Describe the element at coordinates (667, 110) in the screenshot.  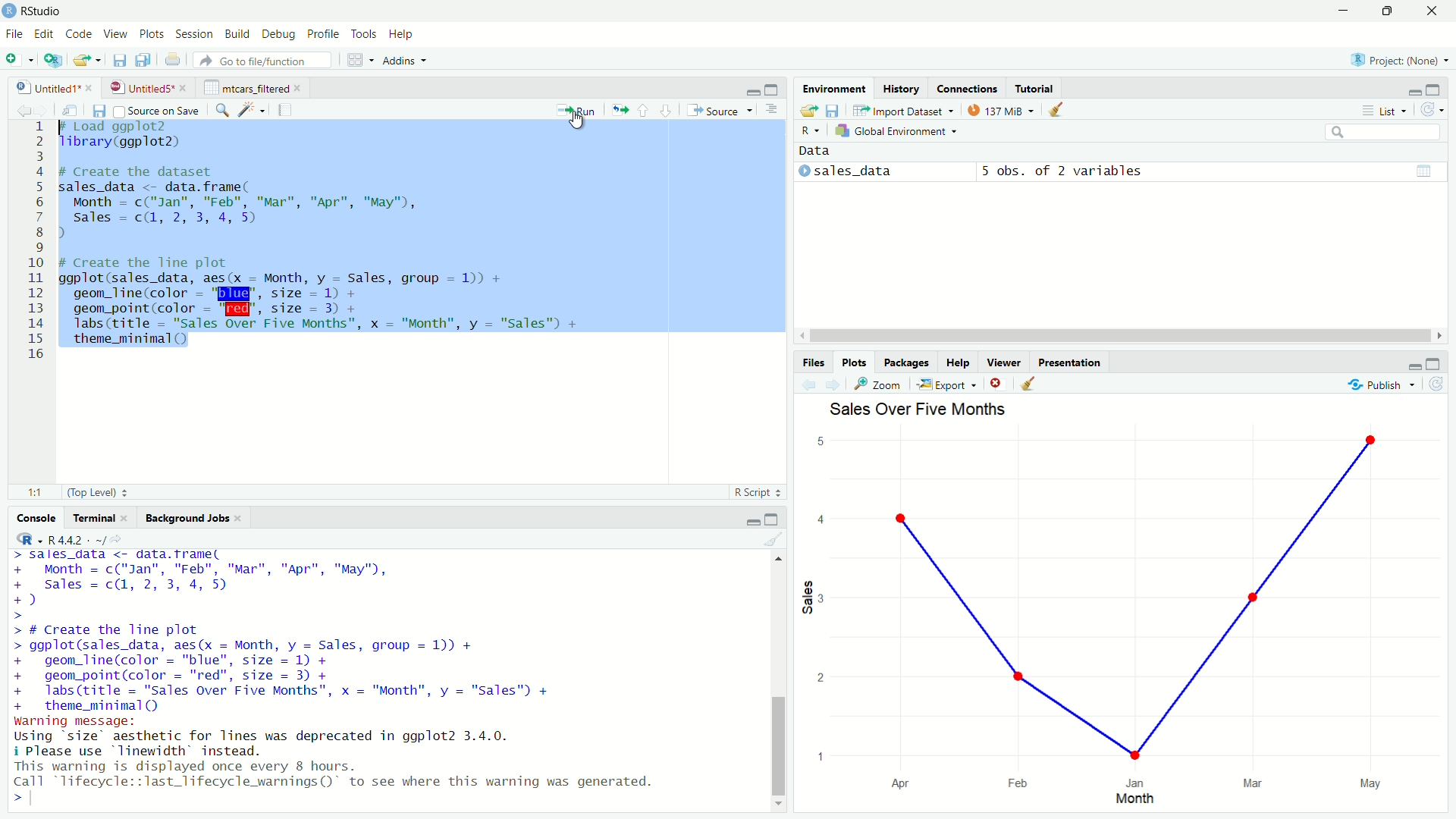
I see `next code section` at that location.